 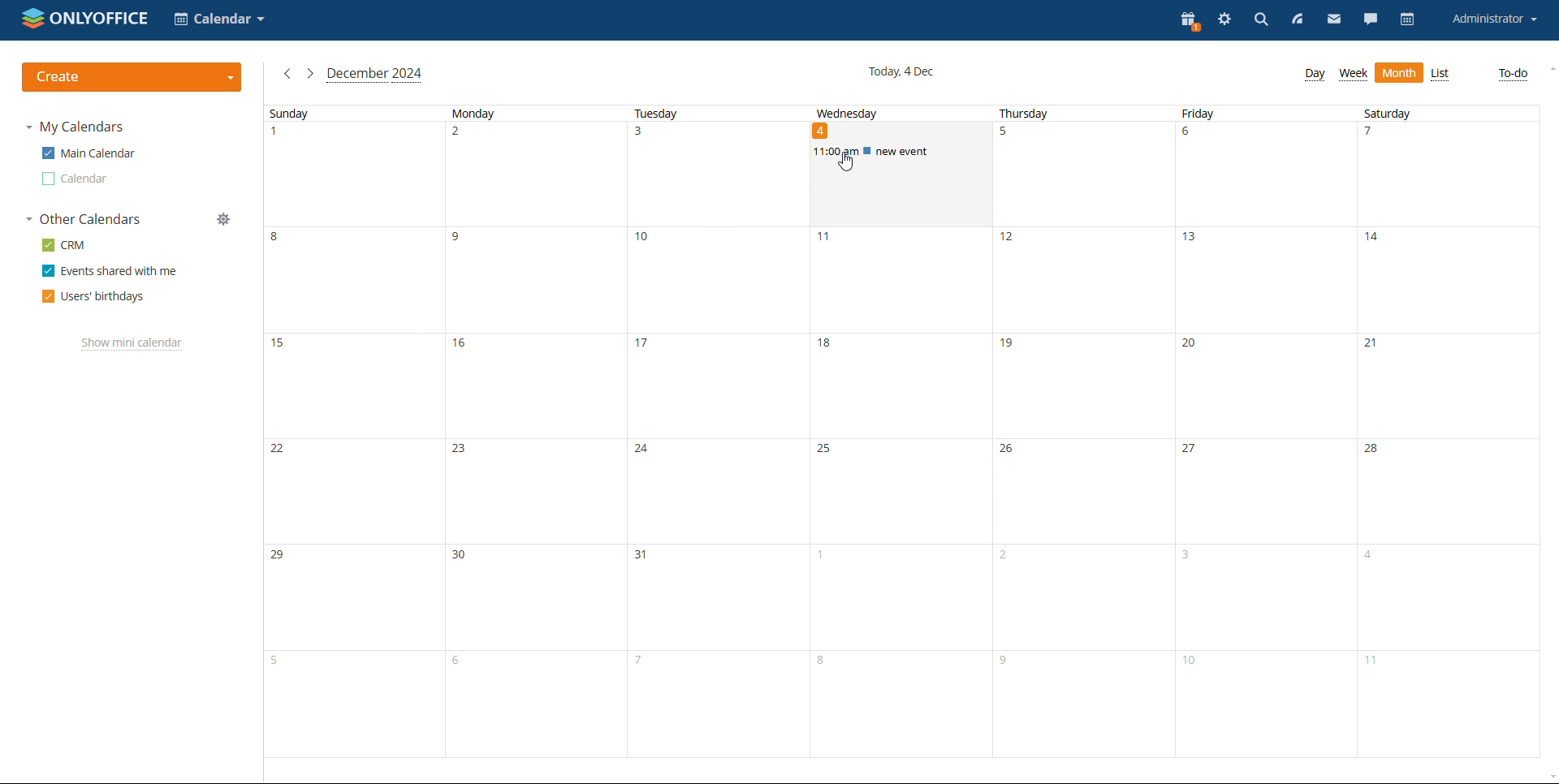 What do you see at coordinates (1514, 73) in the screenshot?
I see `to-do` at bounding box center [1514, 73].